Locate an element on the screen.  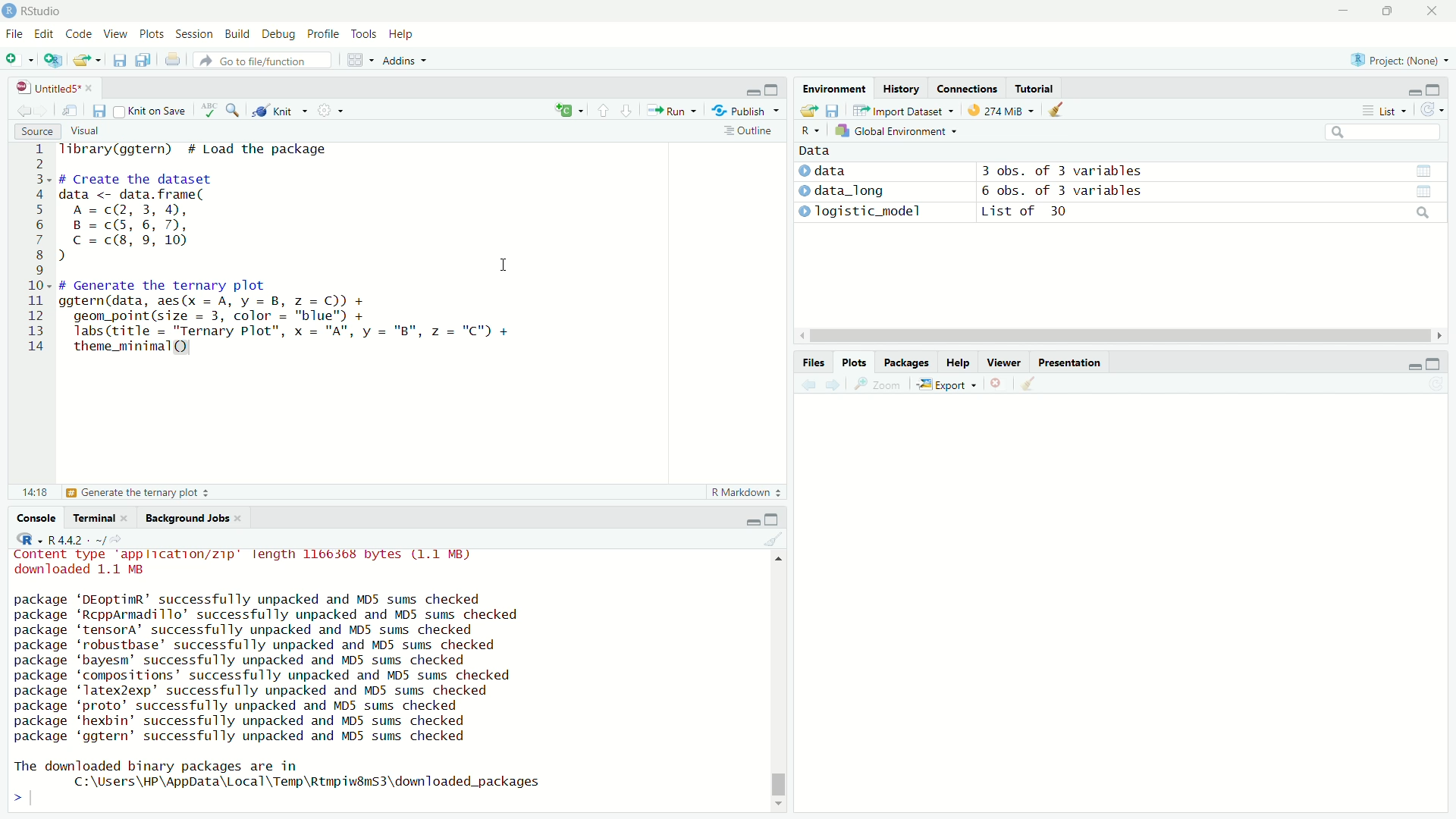
clear is located at coordinates (1065, 112).